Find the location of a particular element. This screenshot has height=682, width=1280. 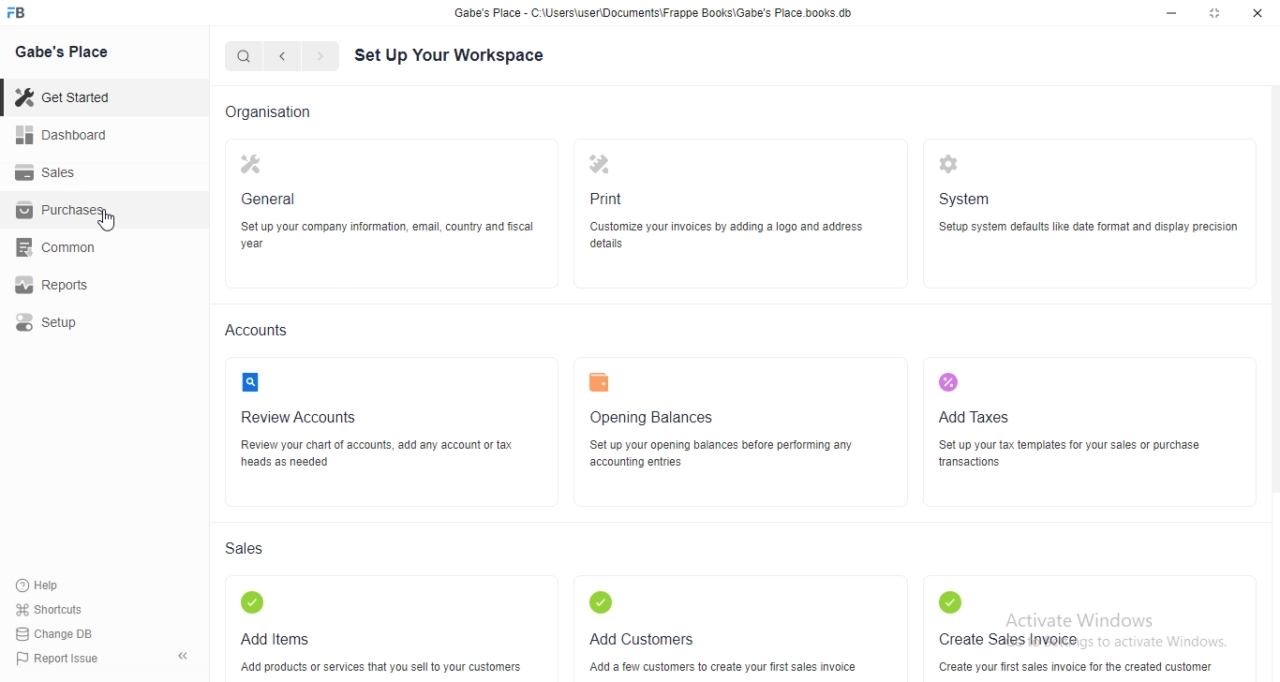

Organisation is located at coordinates (268, 113).